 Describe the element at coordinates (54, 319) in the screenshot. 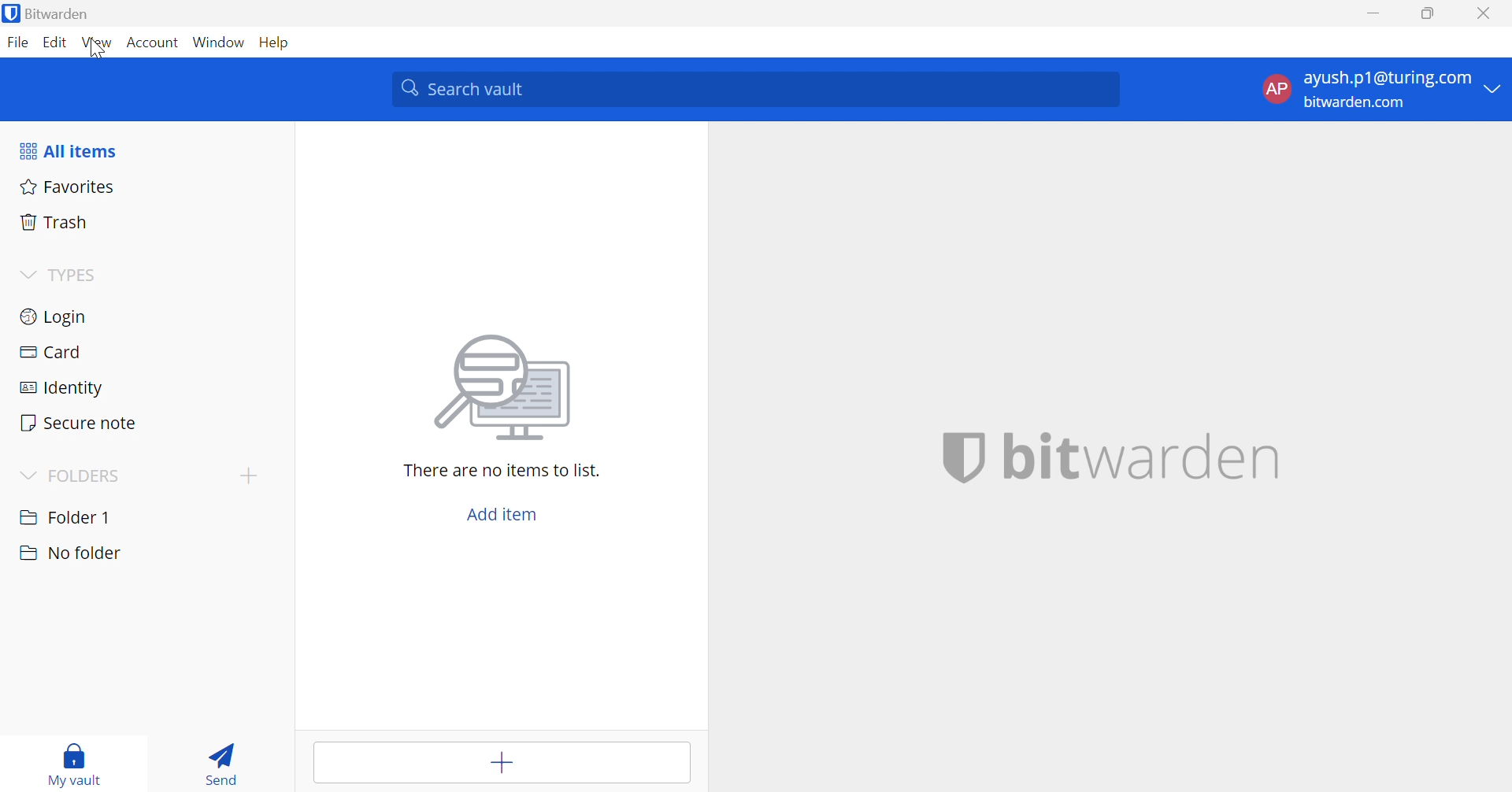

I see `Login` at that location.